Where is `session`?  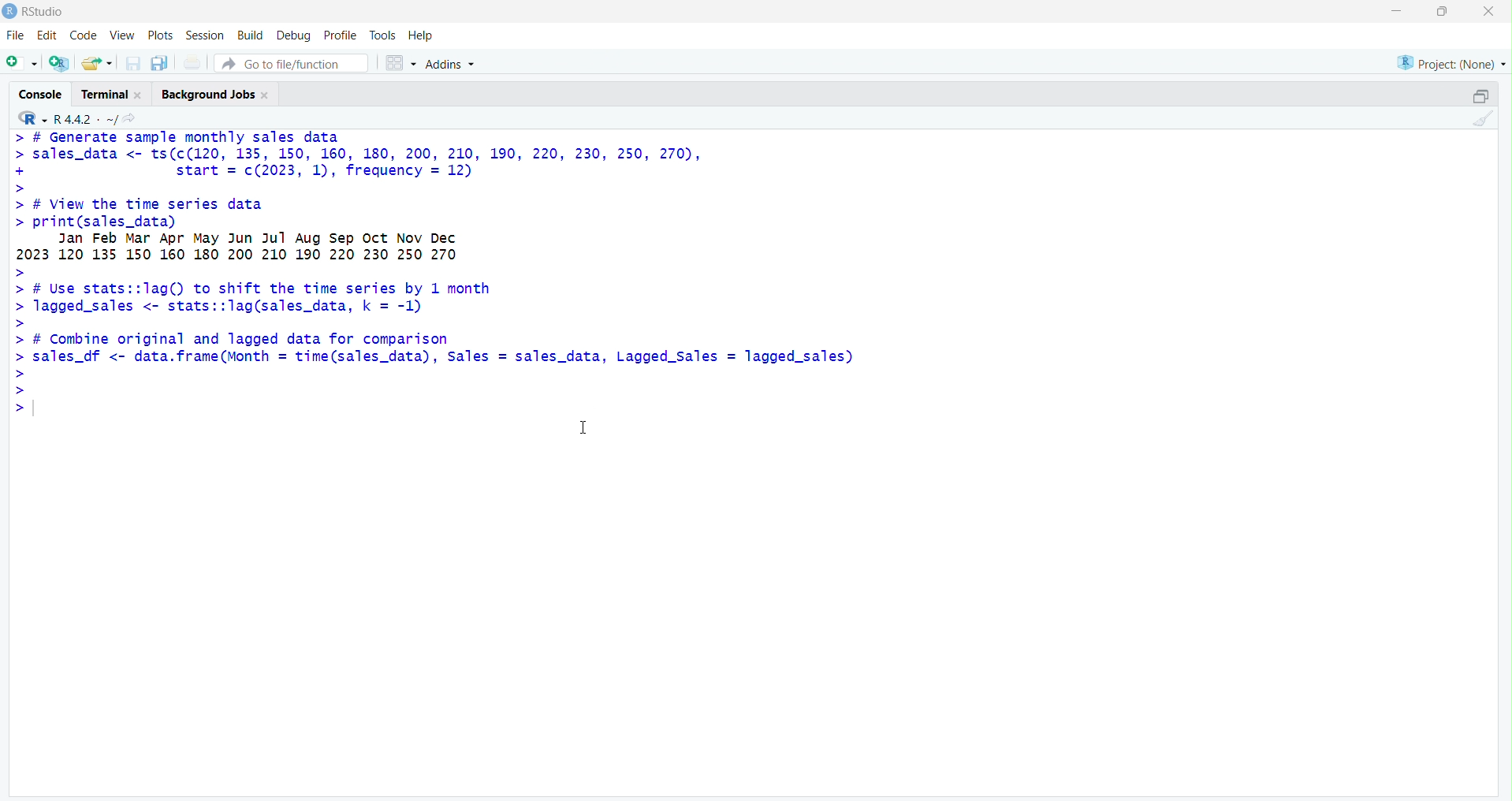
session is located at coordinates (205, 35).